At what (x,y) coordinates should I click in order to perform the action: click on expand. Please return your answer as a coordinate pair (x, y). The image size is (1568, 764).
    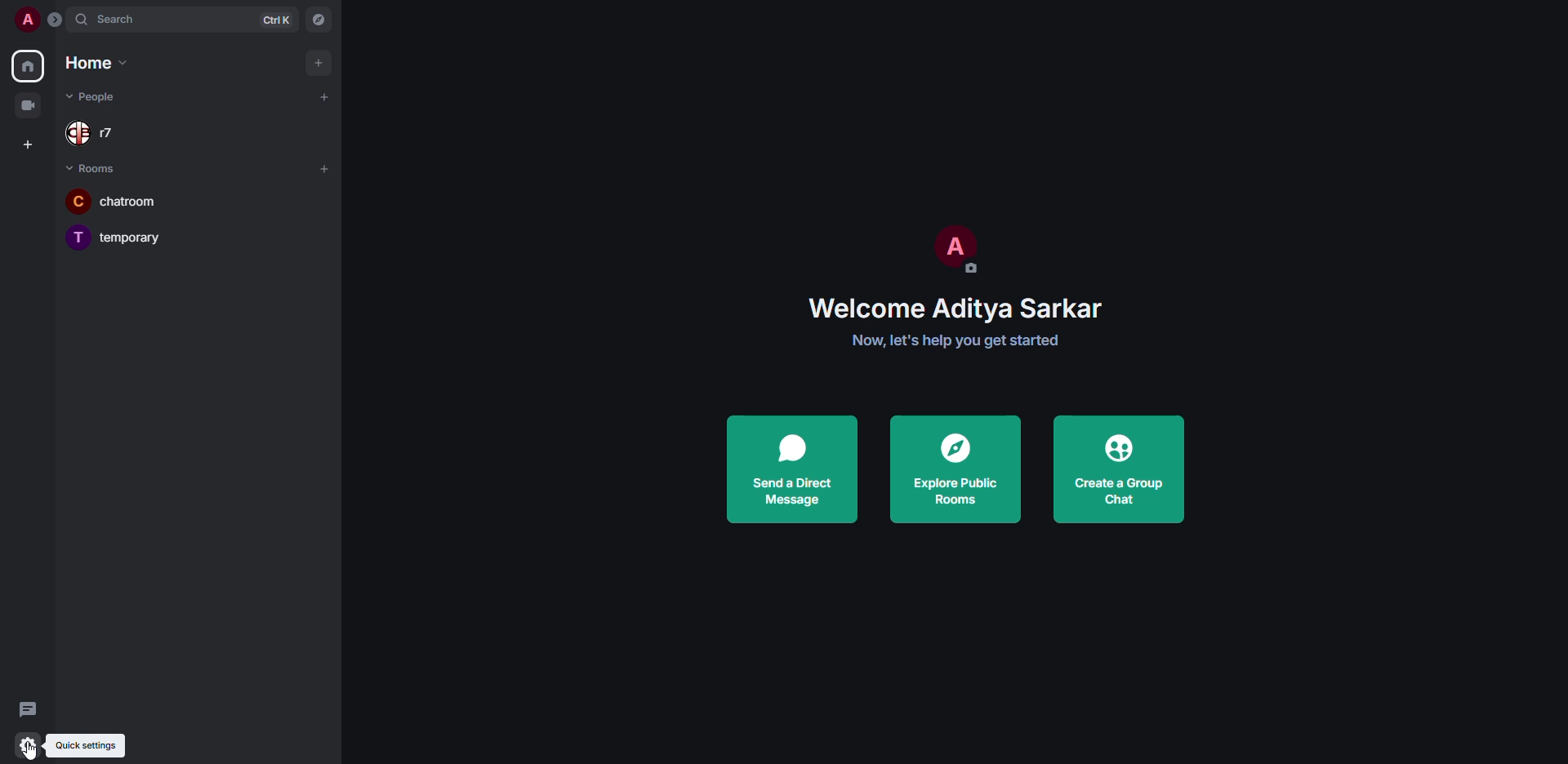
    Looking at the image, I should click on (54, 21).